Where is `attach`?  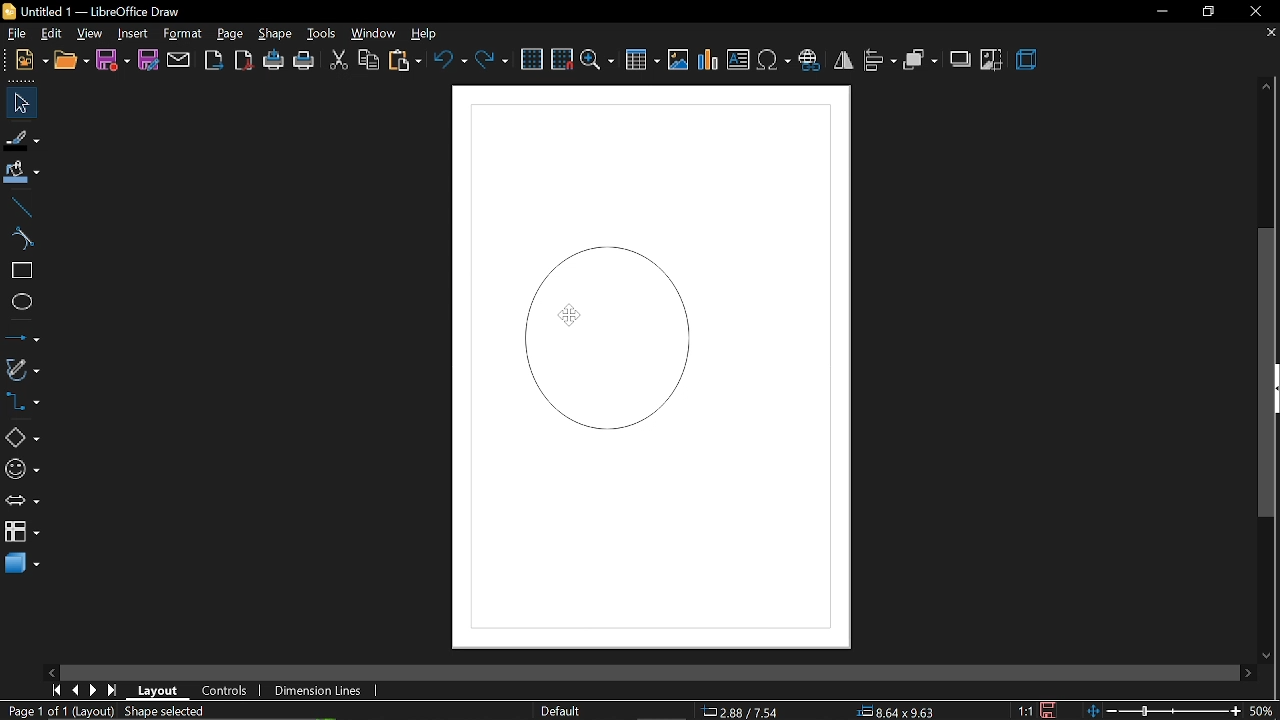 attach is located at coordinates (180, 60).